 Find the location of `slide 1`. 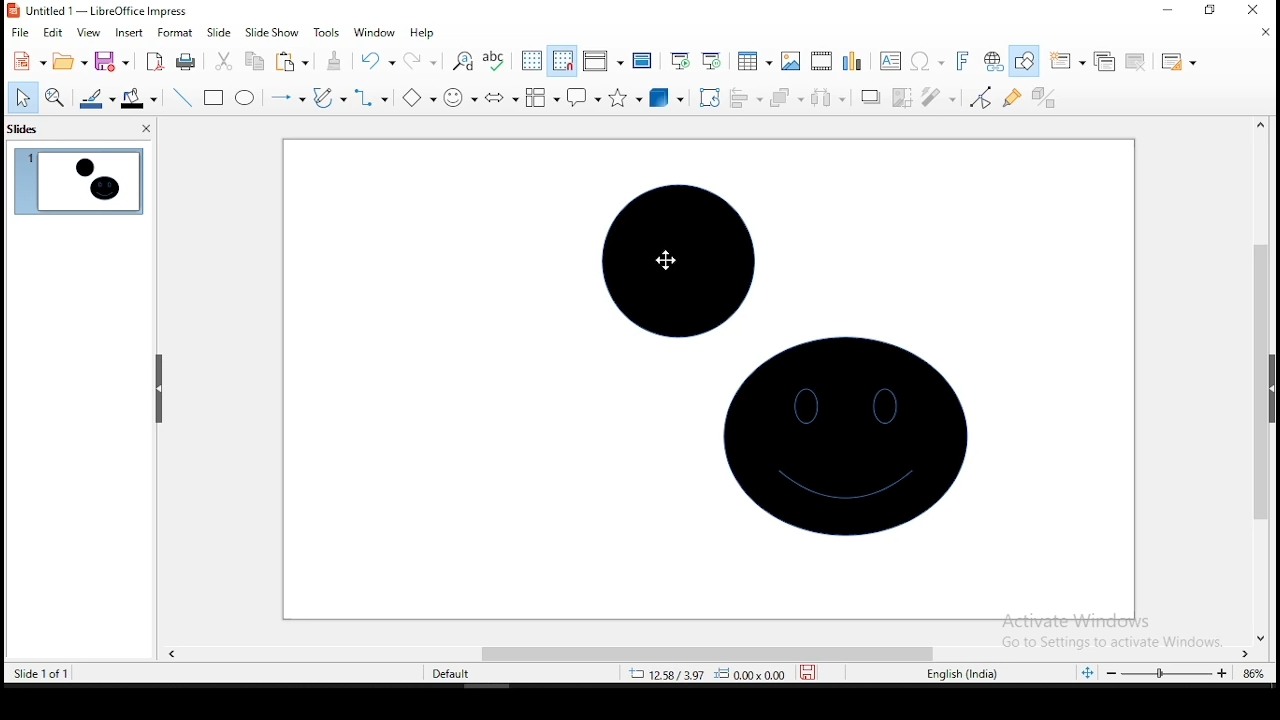

slide 1 is located at coordinates (77, 182).